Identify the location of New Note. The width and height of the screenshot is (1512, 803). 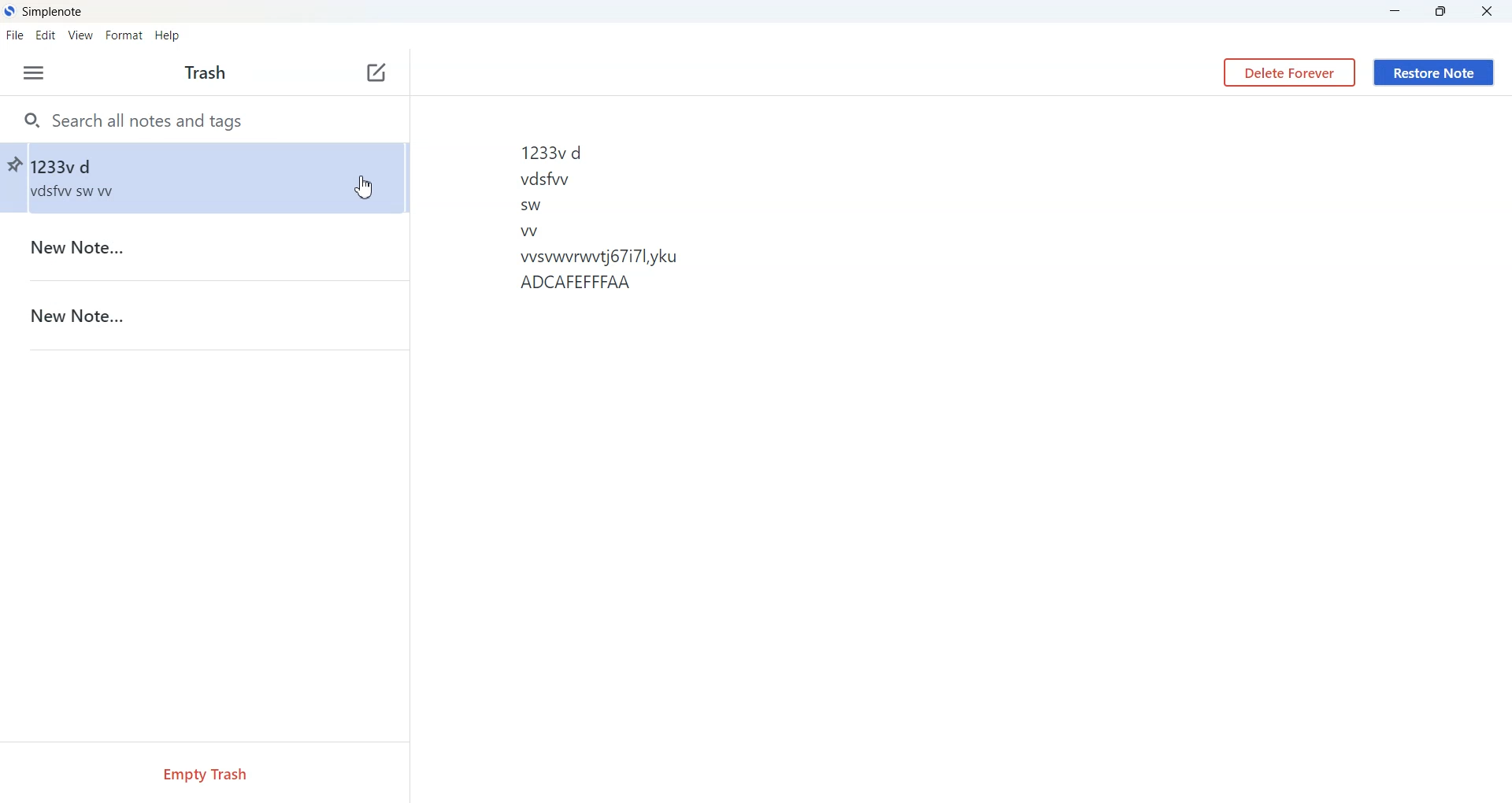
(205, 315).